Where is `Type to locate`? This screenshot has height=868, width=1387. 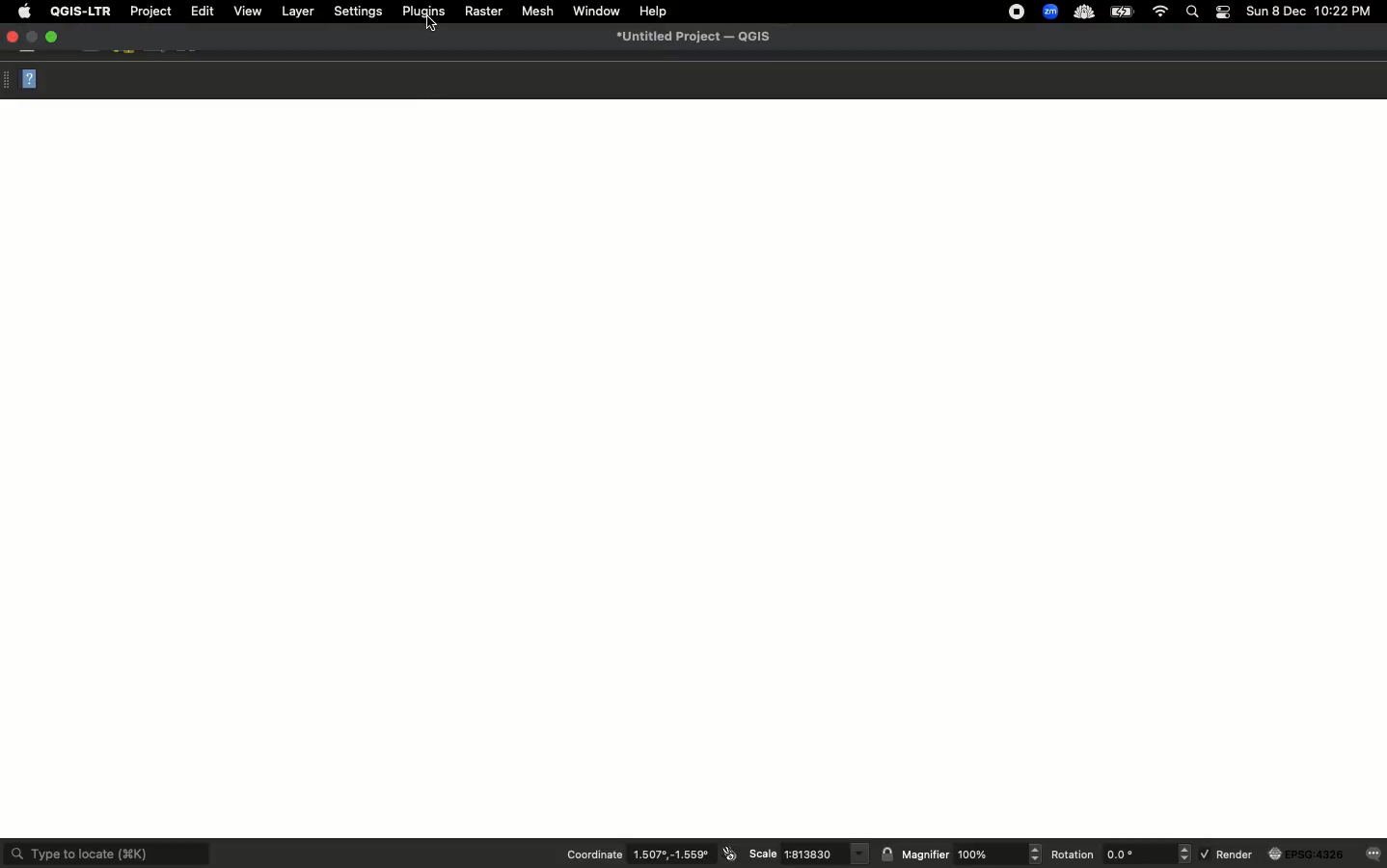
Type to locate is located at coordinates (107, 853).